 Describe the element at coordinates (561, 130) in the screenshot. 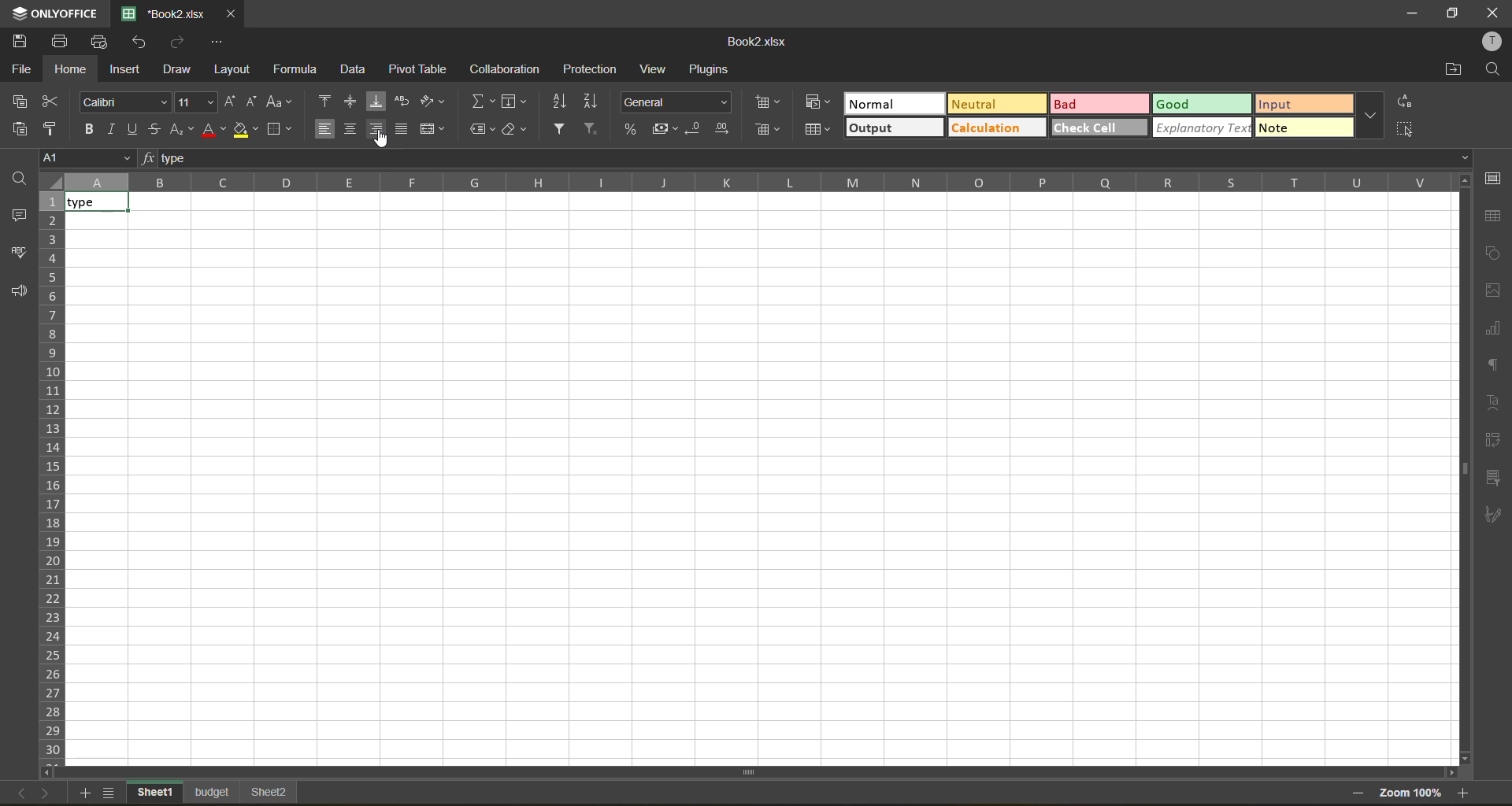

I see `filter` at that location.